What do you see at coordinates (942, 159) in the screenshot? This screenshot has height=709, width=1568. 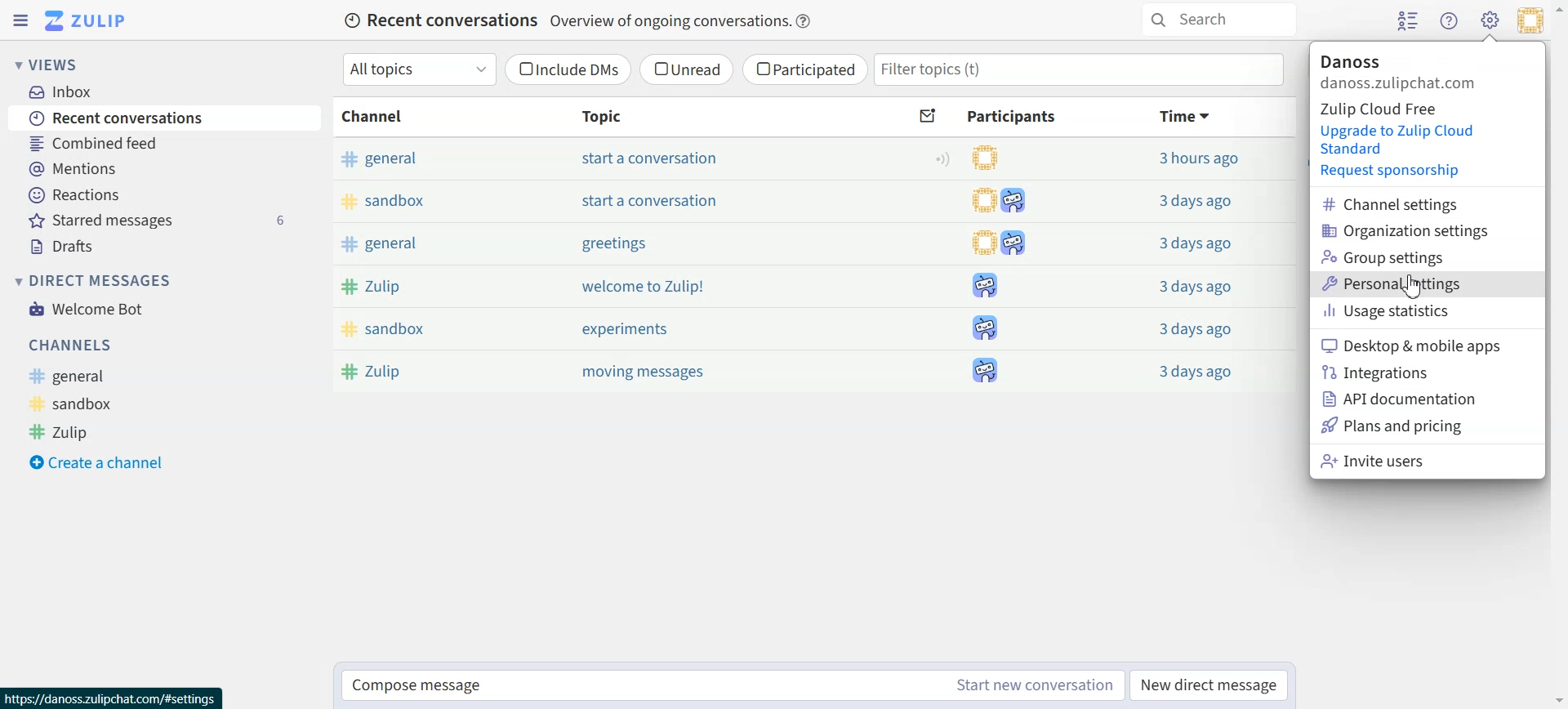 I see `Configure topic notification` at bounding box center [942, 159].